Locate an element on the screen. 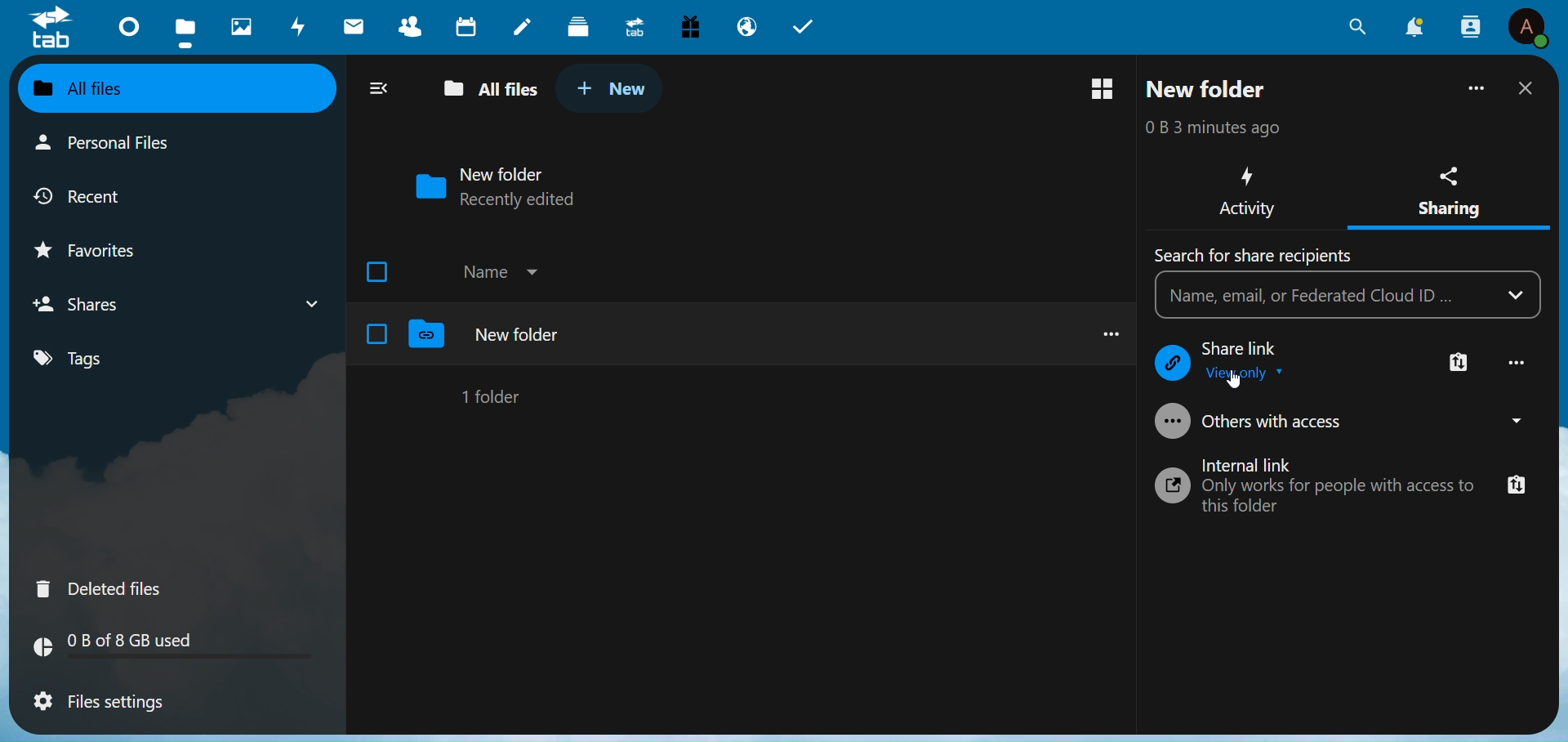 The width and height of the screenshot is (1568, 742). Activity is located at coordinates (1245, 191).